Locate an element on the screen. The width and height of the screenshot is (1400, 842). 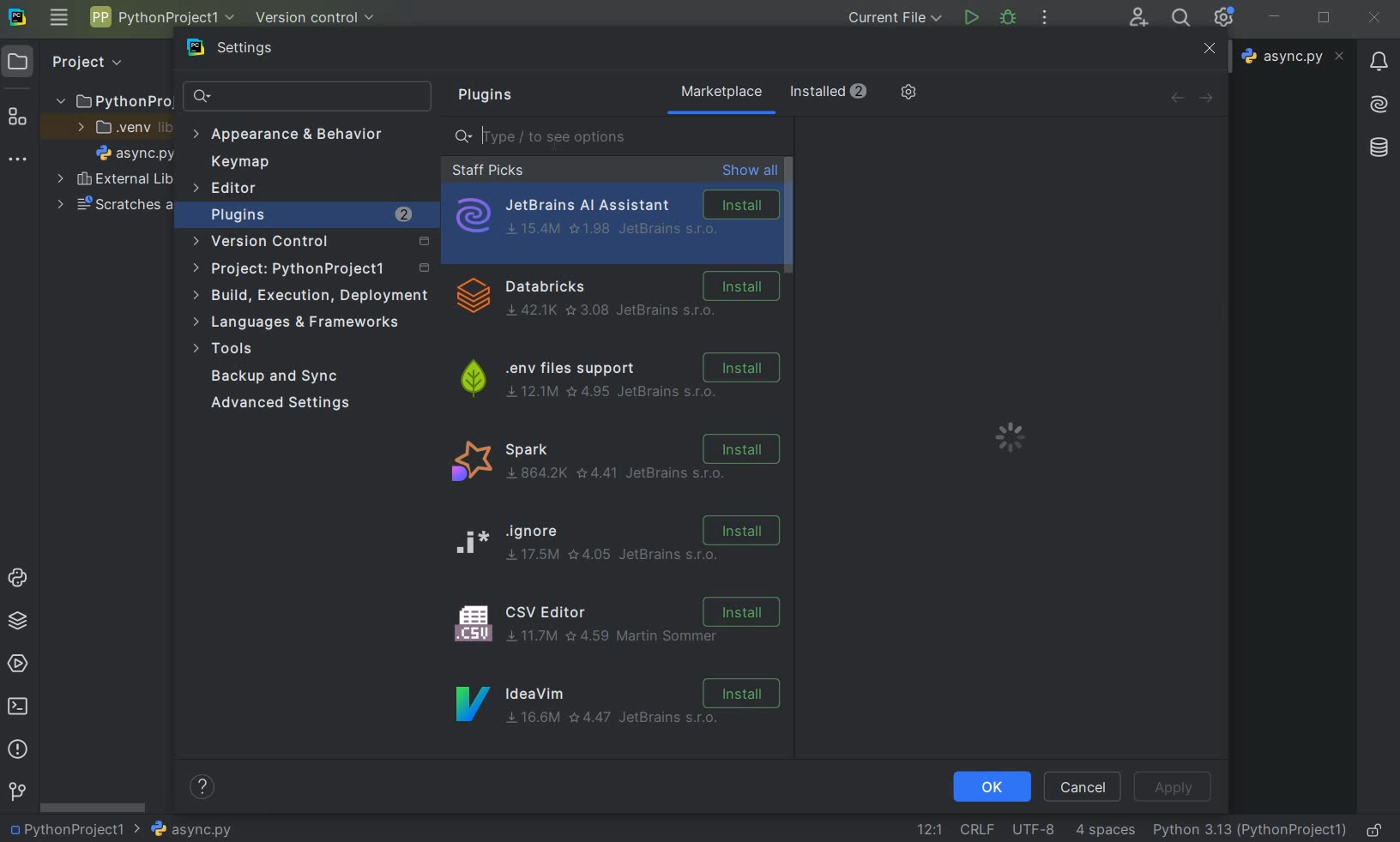
installed (2) is located at coordinates (827, 92).